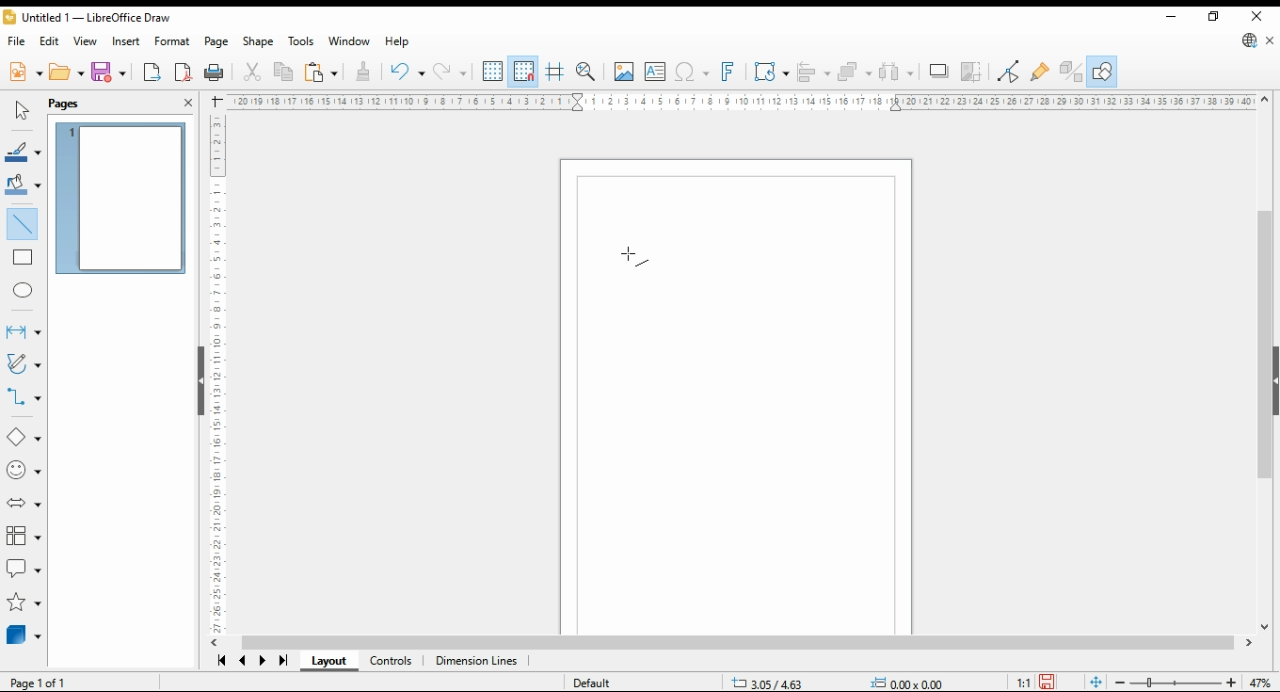 This screenshot has height=692, width=1280. What do you see at coordinates (20, 438) in the screenshot?
I see `basic shapes` at bounding box center [20, 438].